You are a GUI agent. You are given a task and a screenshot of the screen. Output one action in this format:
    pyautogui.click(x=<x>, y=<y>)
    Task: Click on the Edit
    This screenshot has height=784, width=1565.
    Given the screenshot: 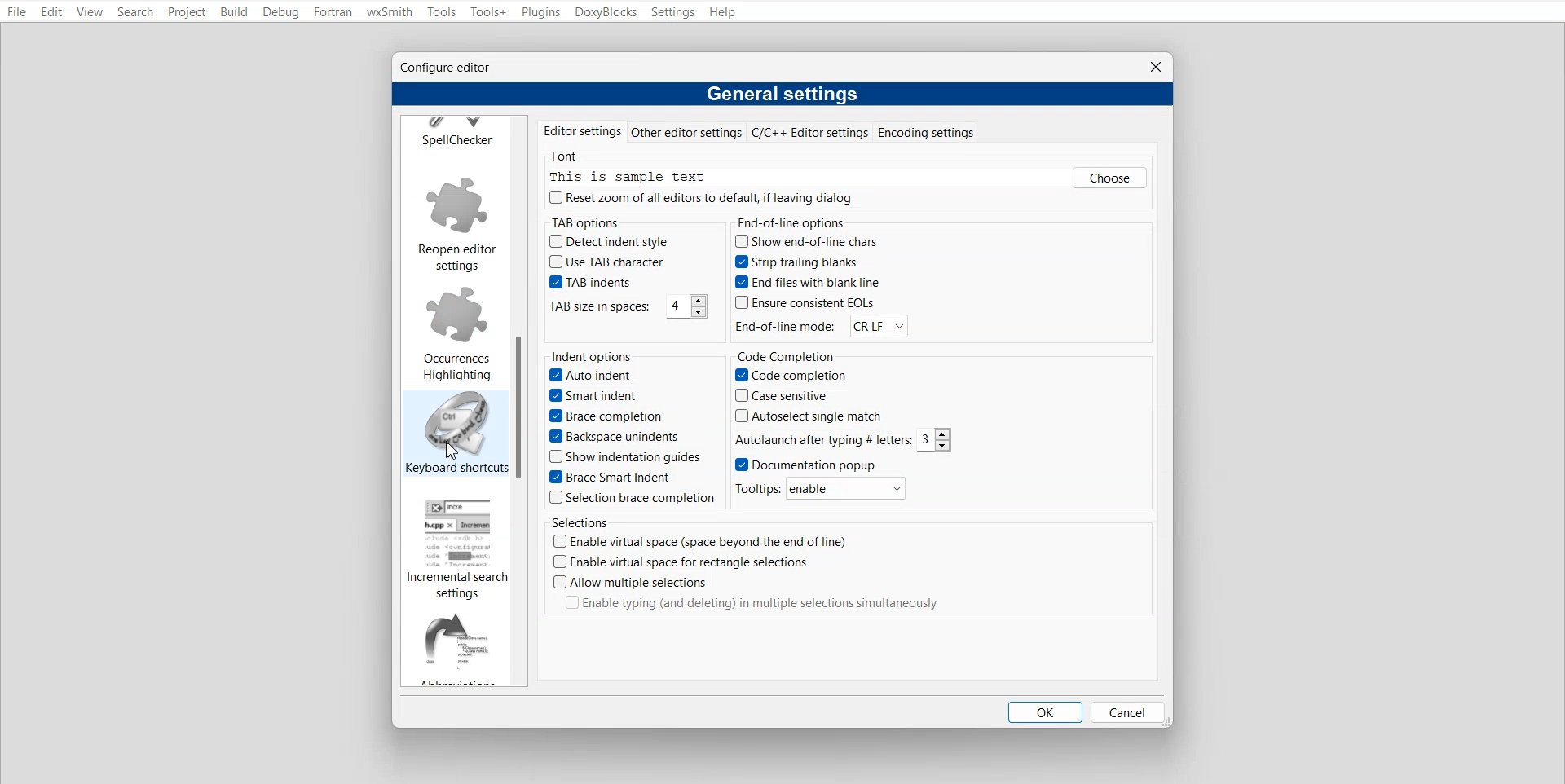 What is the action you would take?
    pyautogui.click(x=53, y=12)
    